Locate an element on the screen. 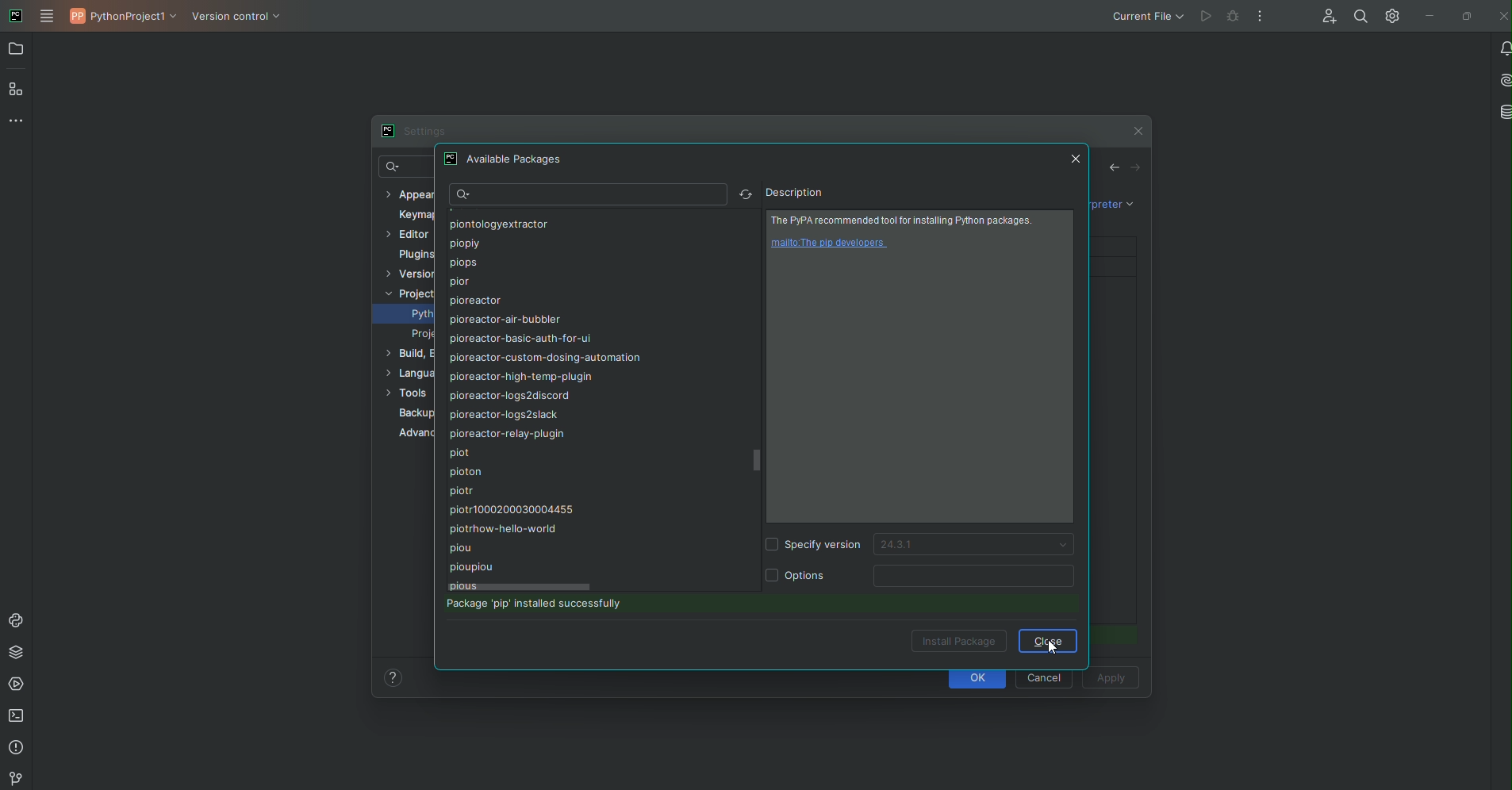 This screenshot has height=790, width=1512. Advanced Settings is located at coordinates (414, 435).